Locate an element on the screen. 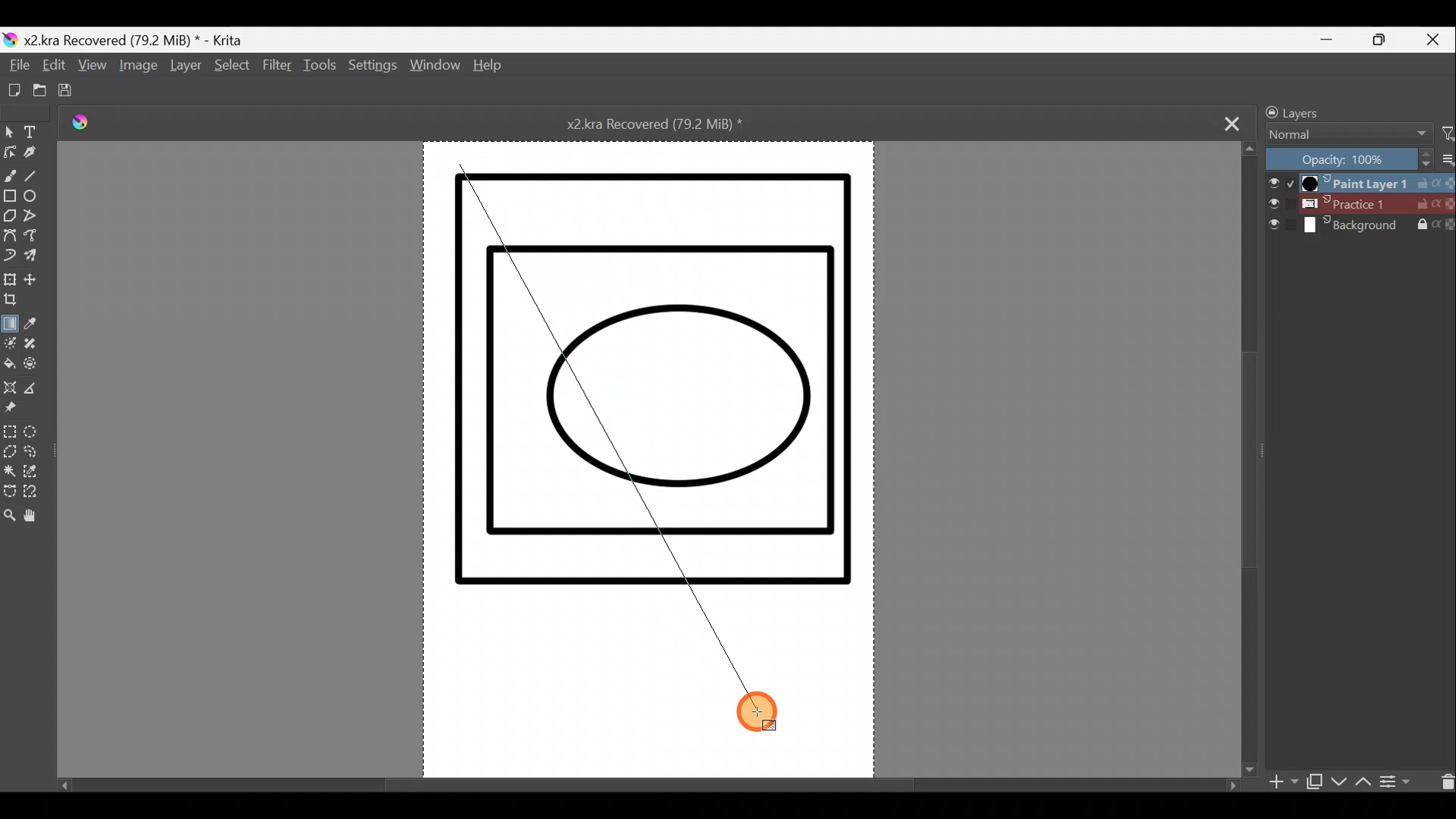  Edit shapes tool is located at coordinates (9, 154).